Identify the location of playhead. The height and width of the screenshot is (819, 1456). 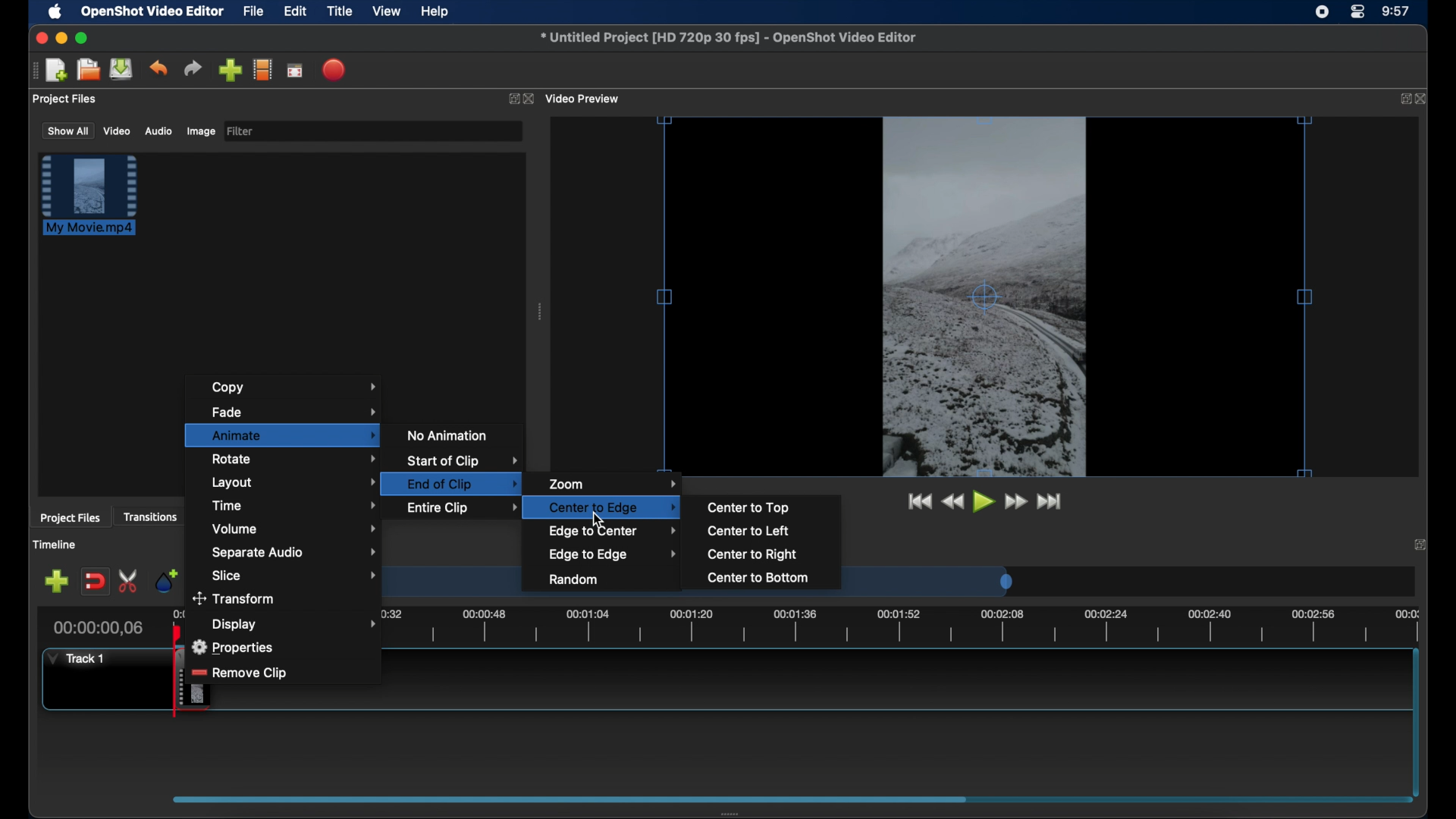
(177, 634).